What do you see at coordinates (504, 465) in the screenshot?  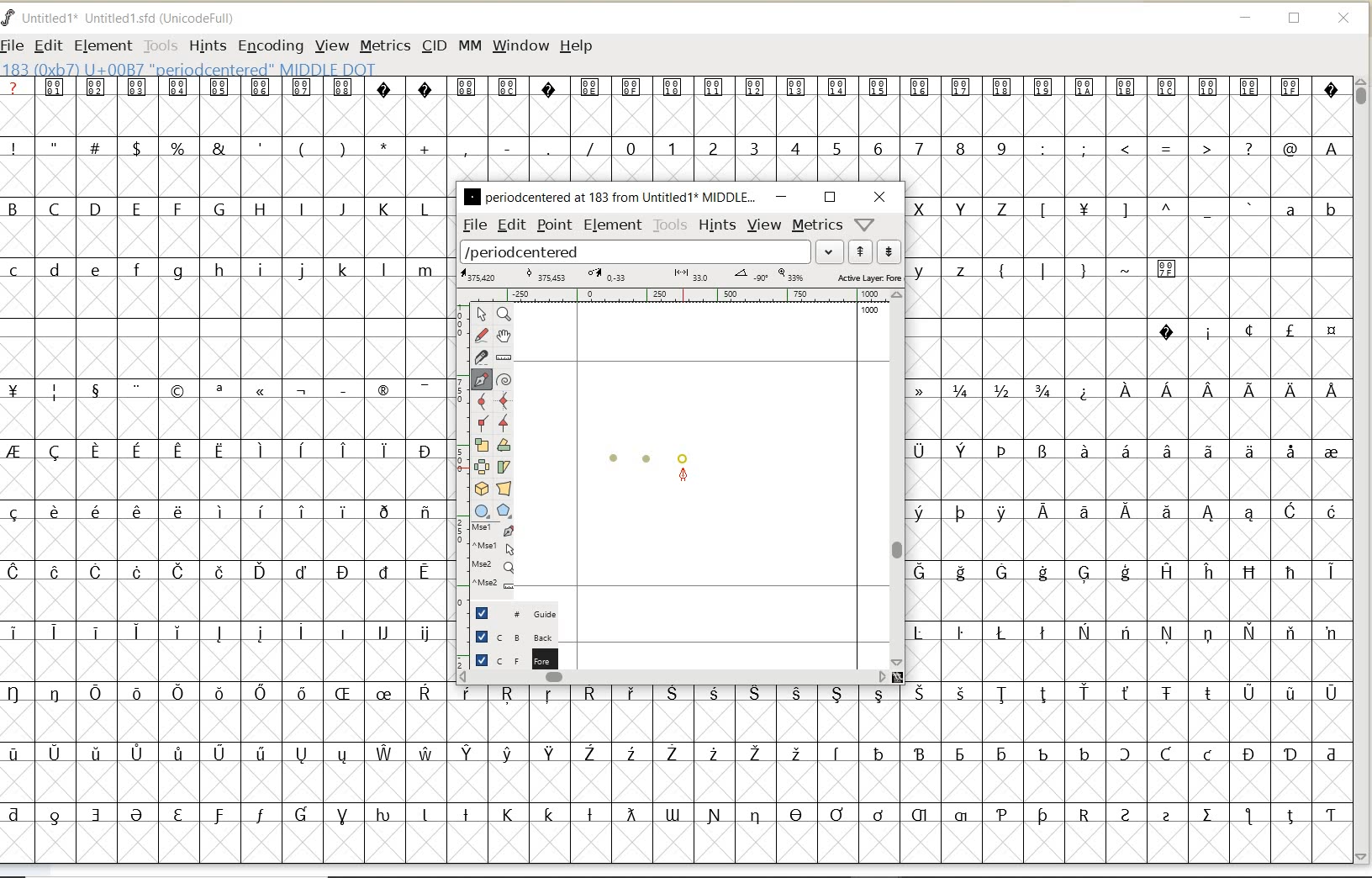 I see `skew the selection` at bounding box center [504, 465].